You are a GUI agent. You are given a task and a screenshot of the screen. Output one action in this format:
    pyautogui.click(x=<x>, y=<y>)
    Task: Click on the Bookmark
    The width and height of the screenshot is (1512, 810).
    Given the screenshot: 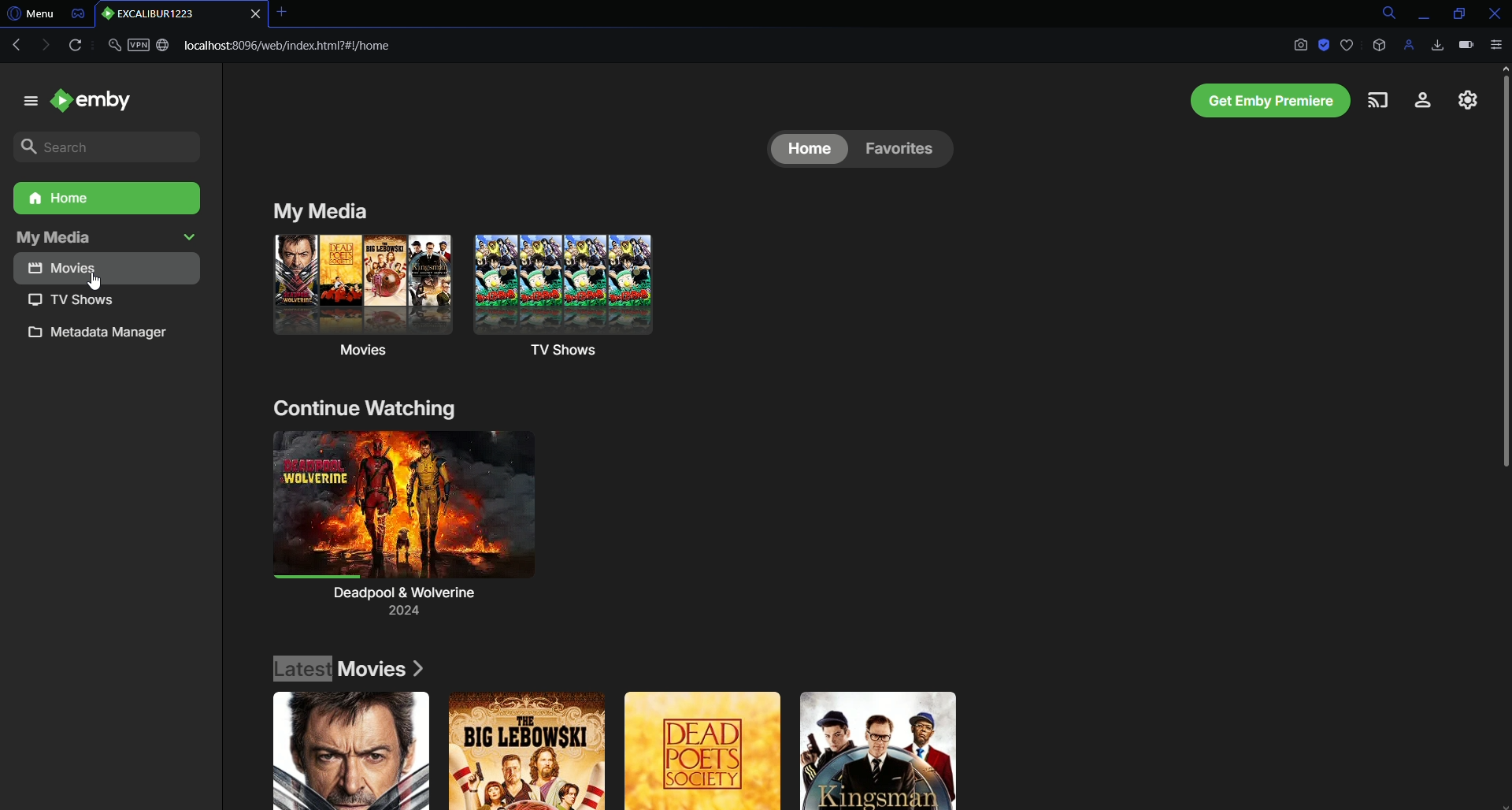 What is the action you would take?
    pyautogui.click(x=1347, y=44)
    